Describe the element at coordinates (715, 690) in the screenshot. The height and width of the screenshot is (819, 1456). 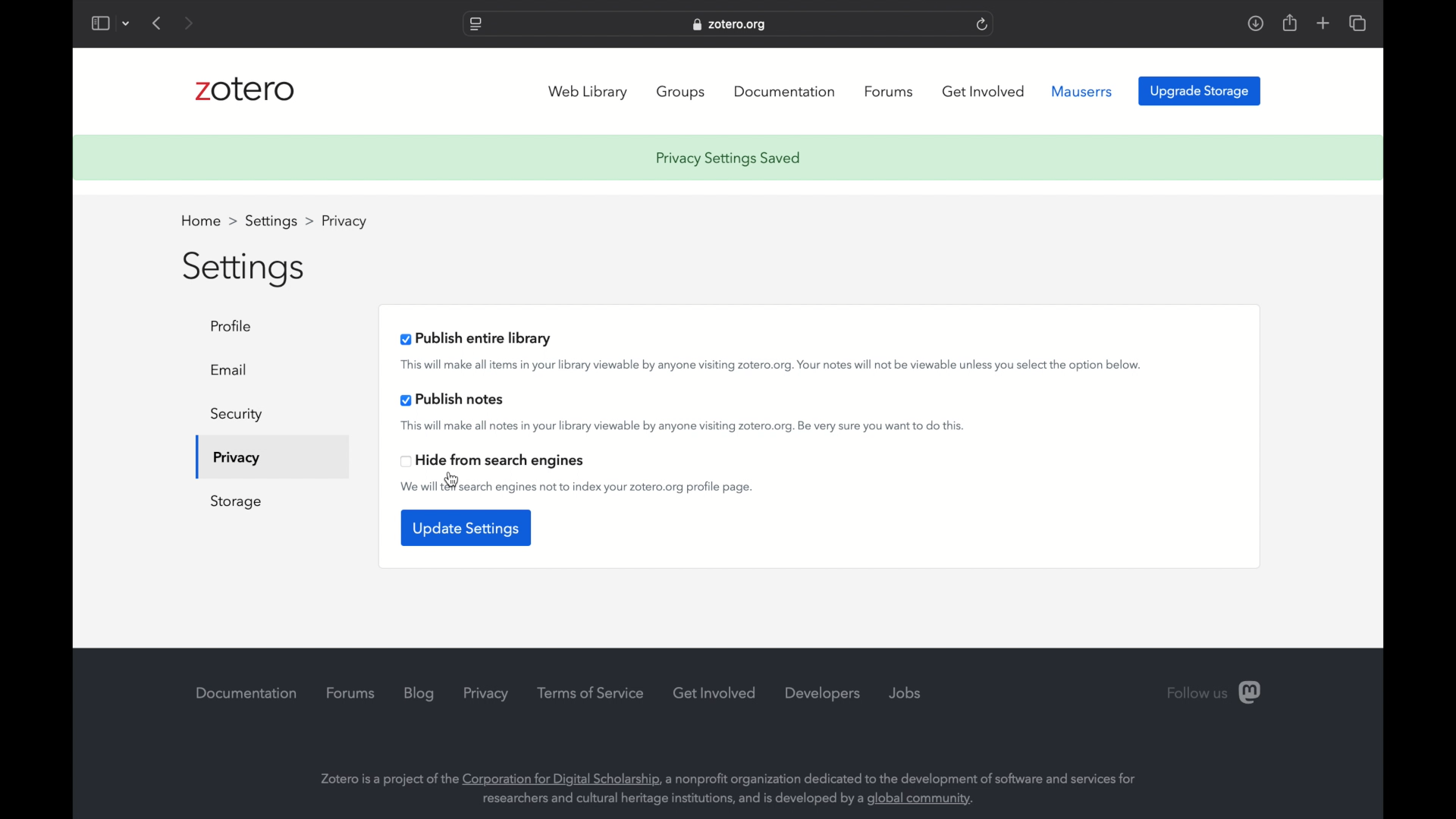
I see `get involved` at that location.